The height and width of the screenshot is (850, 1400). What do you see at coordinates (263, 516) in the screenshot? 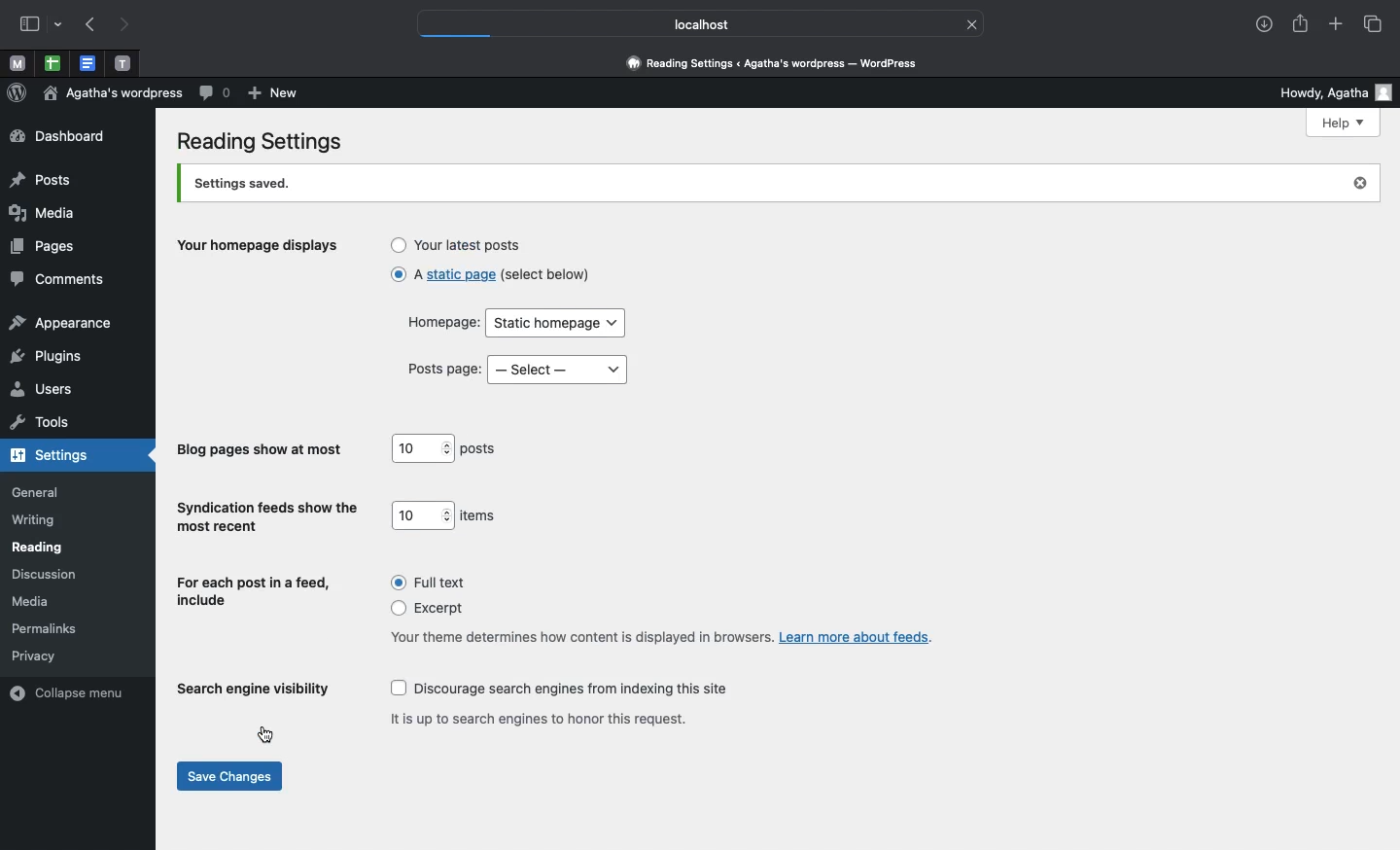
I see `syndication feeds show the most recent` at bounding box center [263, 516].